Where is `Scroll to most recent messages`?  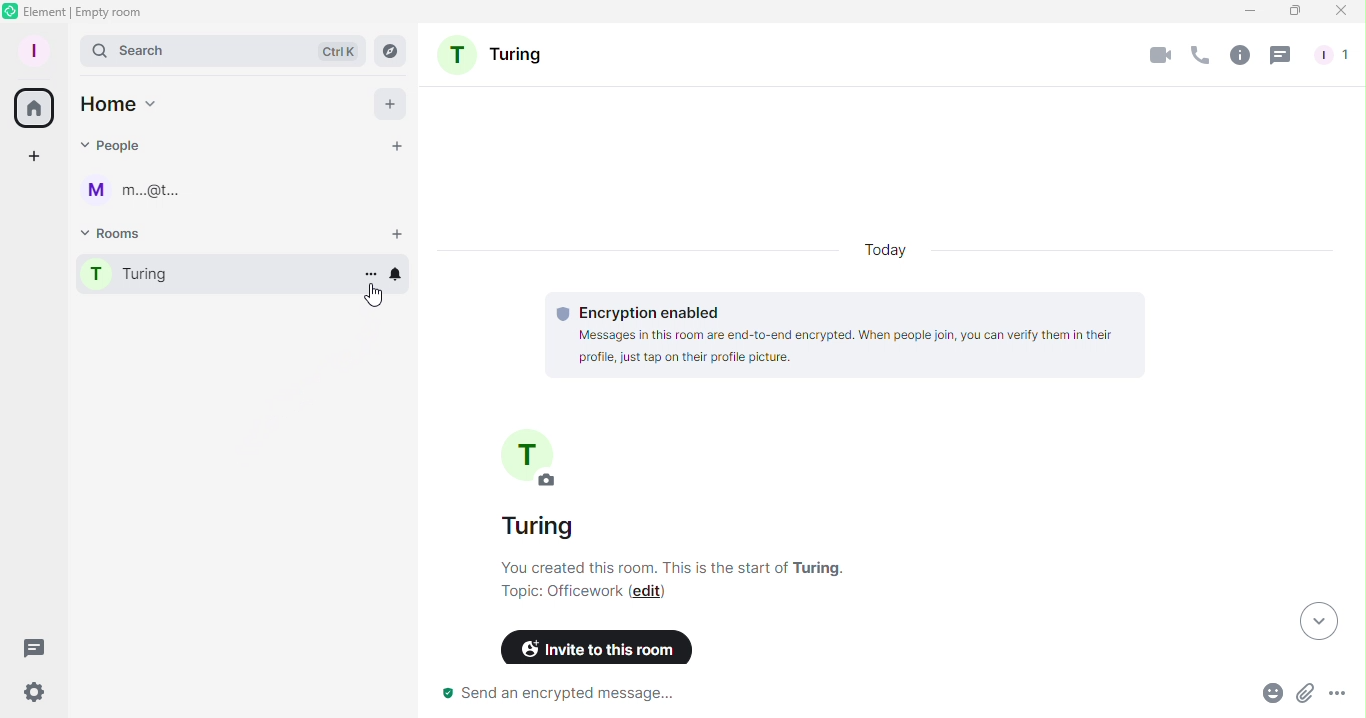
Scroll to most recent messages is located at coordinates (1315, 621).